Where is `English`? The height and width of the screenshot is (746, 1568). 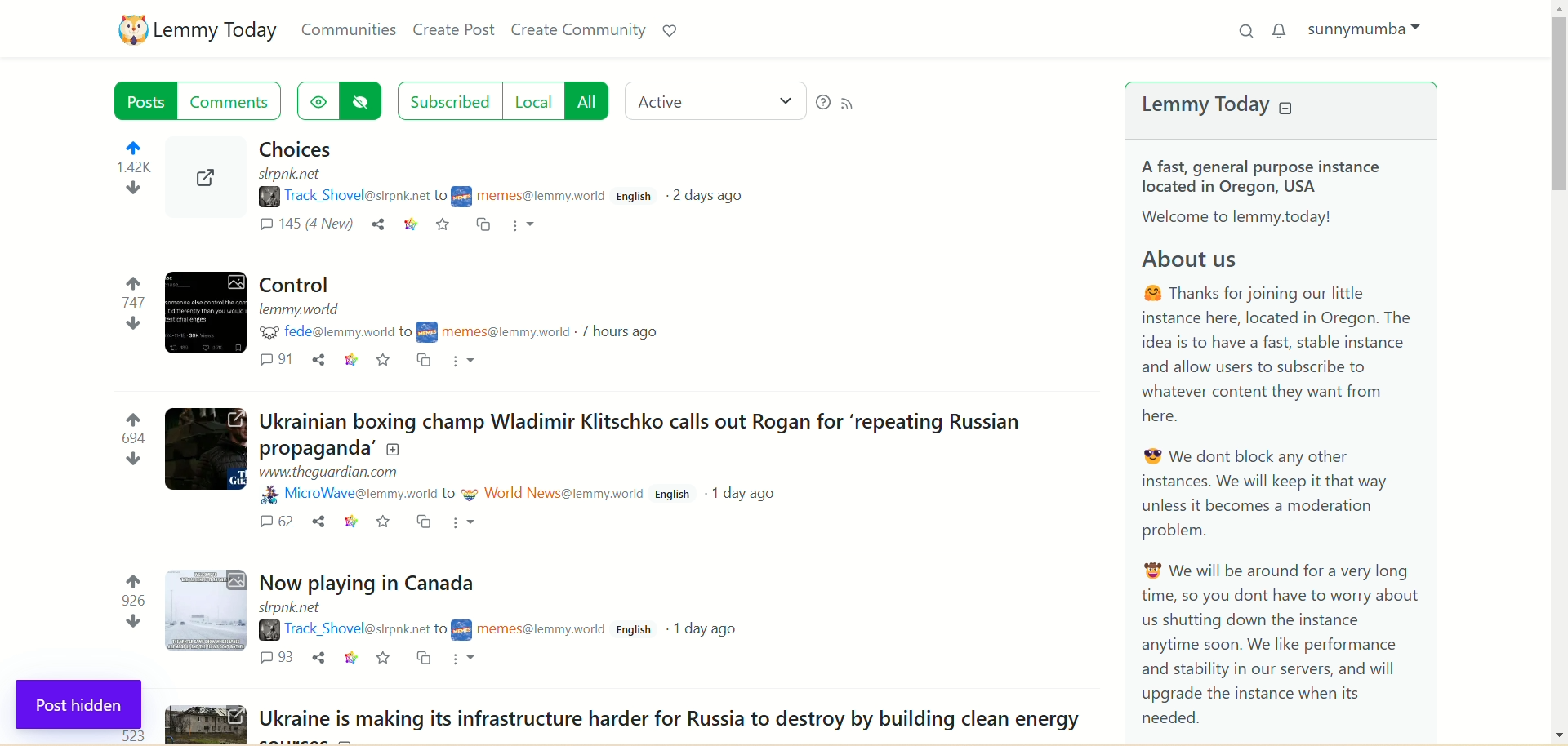
English is located at coordinates (639, 629).